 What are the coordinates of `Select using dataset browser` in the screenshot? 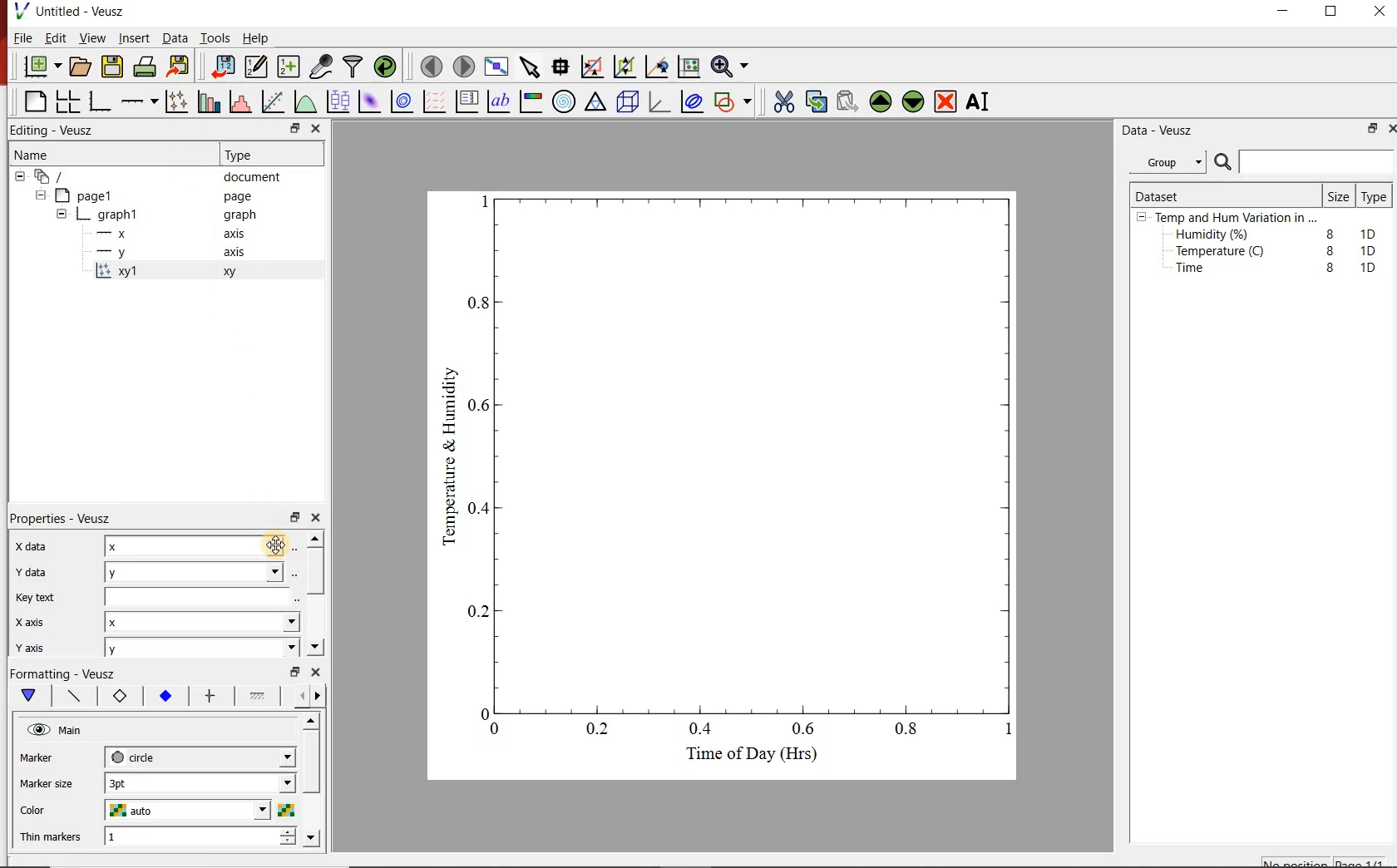 It's located at (300, 547).